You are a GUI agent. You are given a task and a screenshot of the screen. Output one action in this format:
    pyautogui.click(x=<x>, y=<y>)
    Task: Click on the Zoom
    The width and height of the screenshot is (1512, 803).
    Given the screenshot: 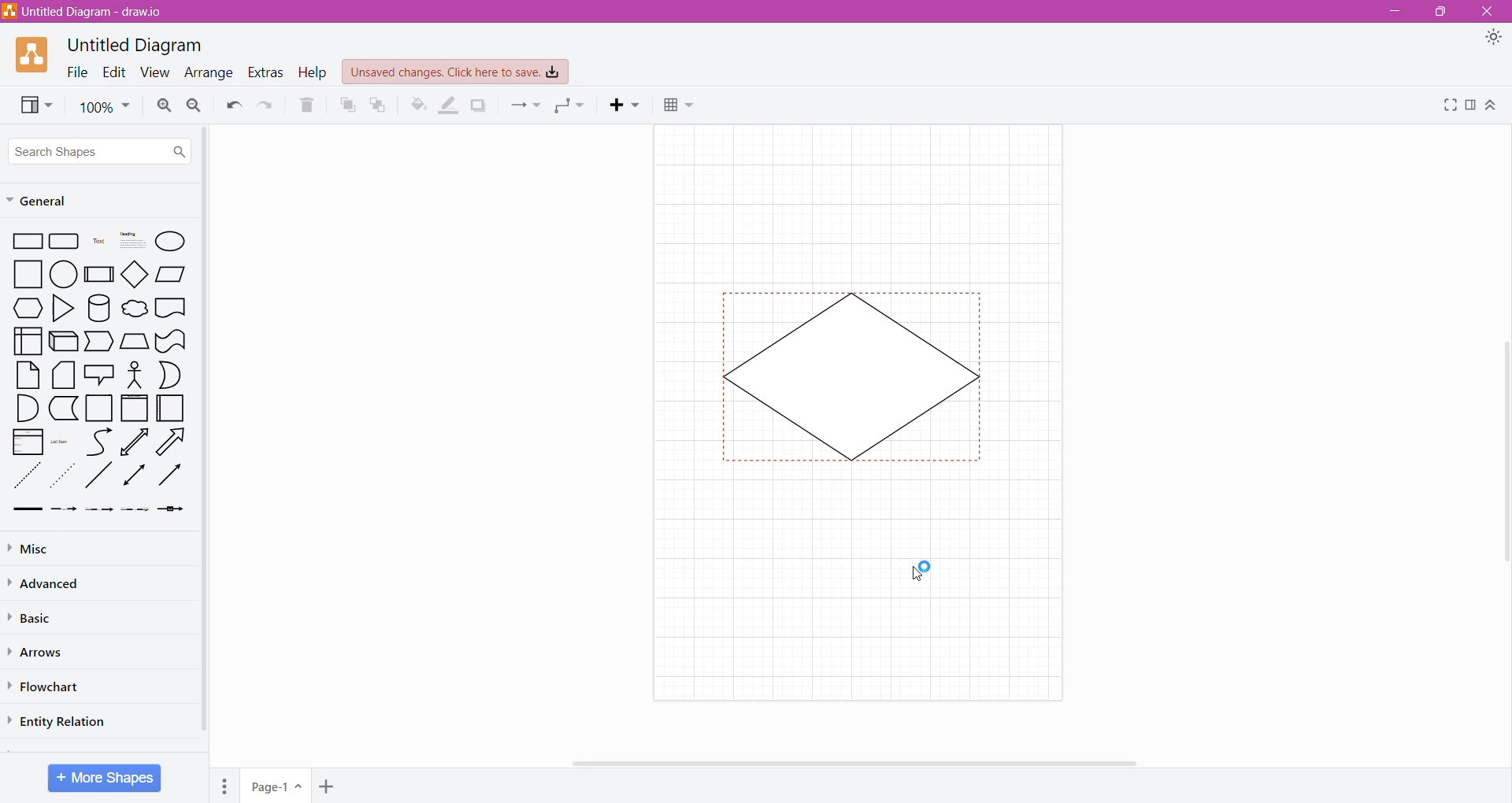 What is the action you would take?
    pyautogui.click(x=105, y=108)
    